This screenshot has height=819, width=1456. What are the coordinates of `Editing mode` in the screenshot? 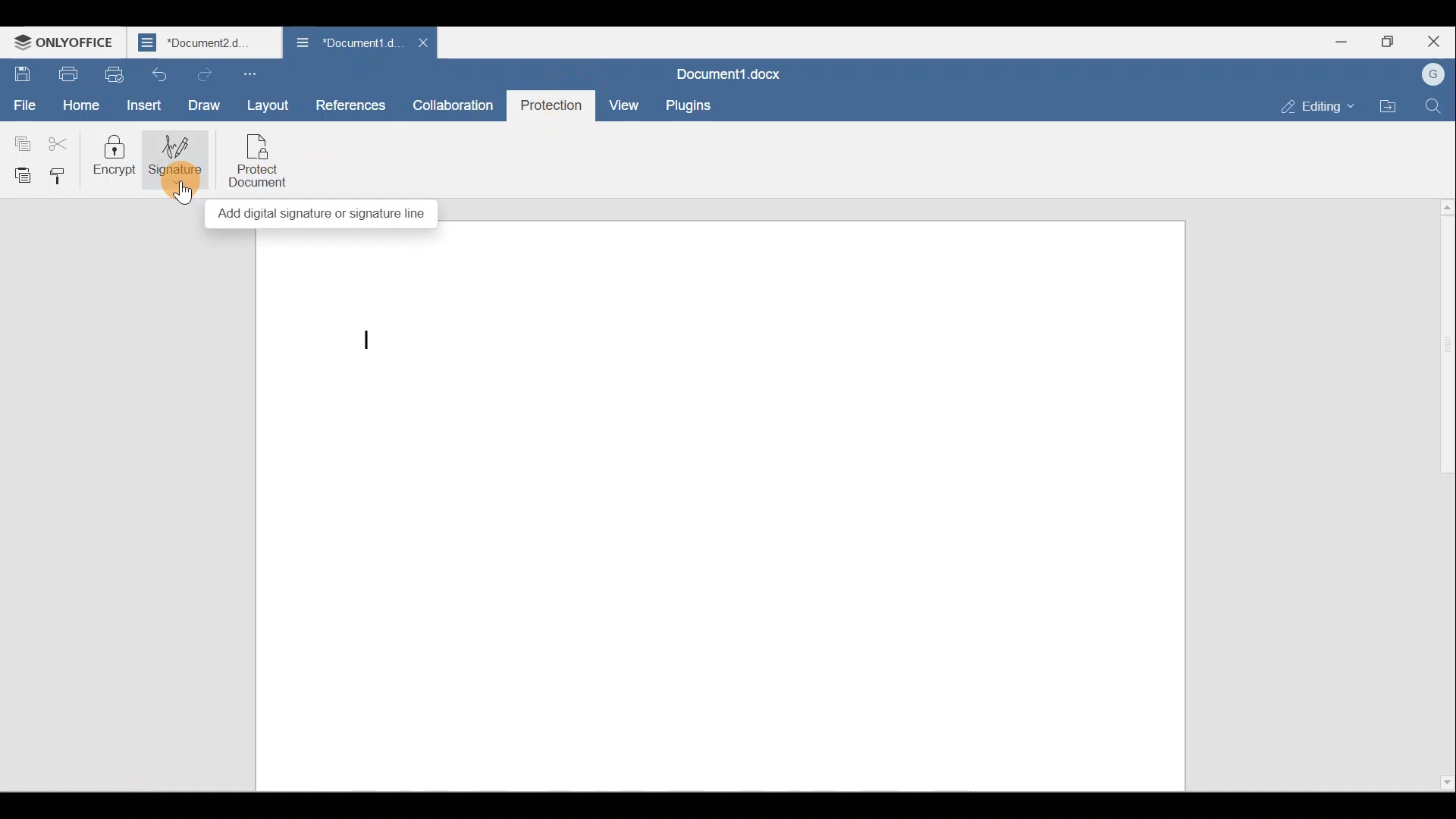 It's located at (1320, 106).